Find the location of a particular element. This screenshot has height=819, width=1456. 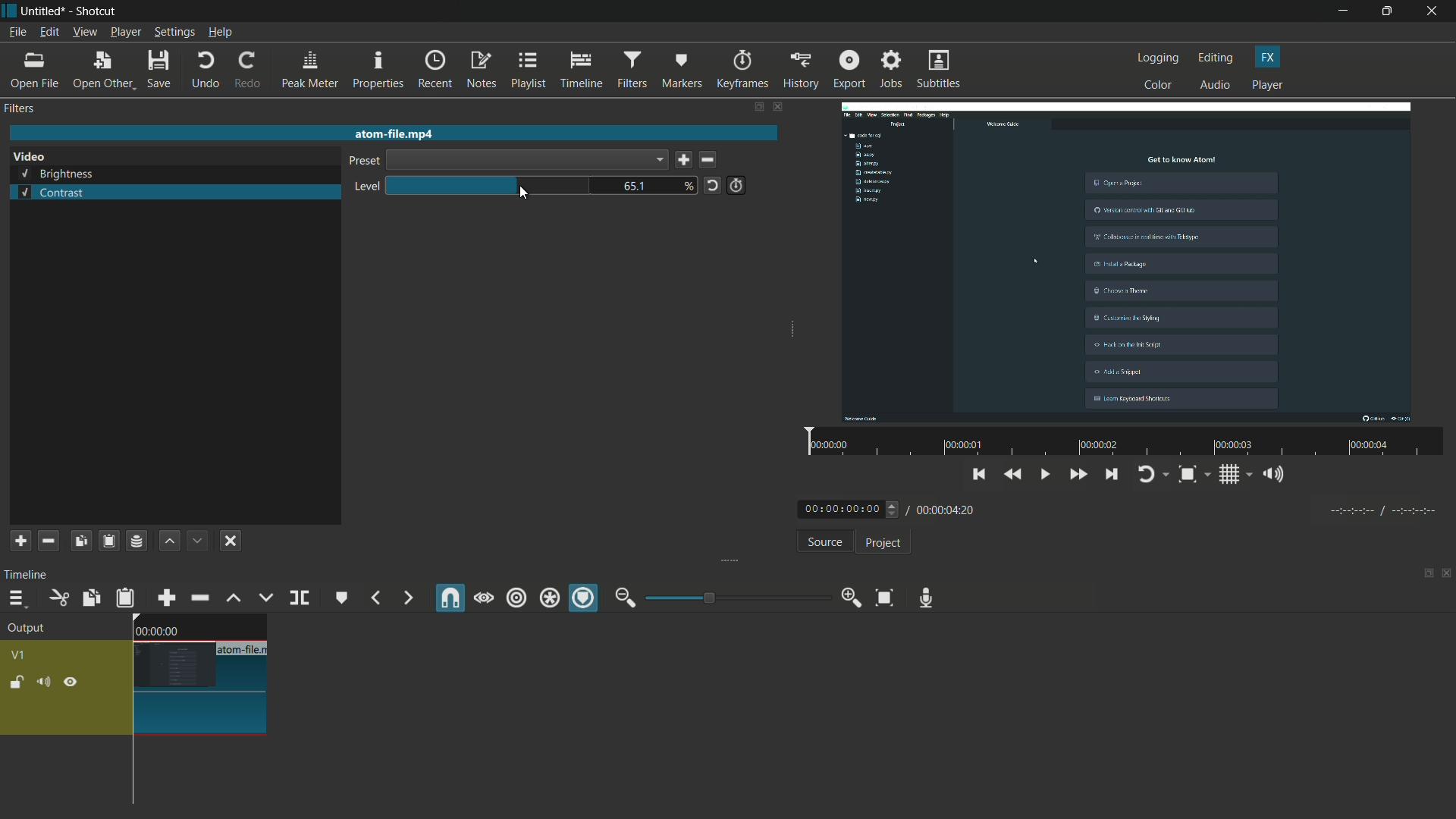

timeline is located at coordinates (29, 574).